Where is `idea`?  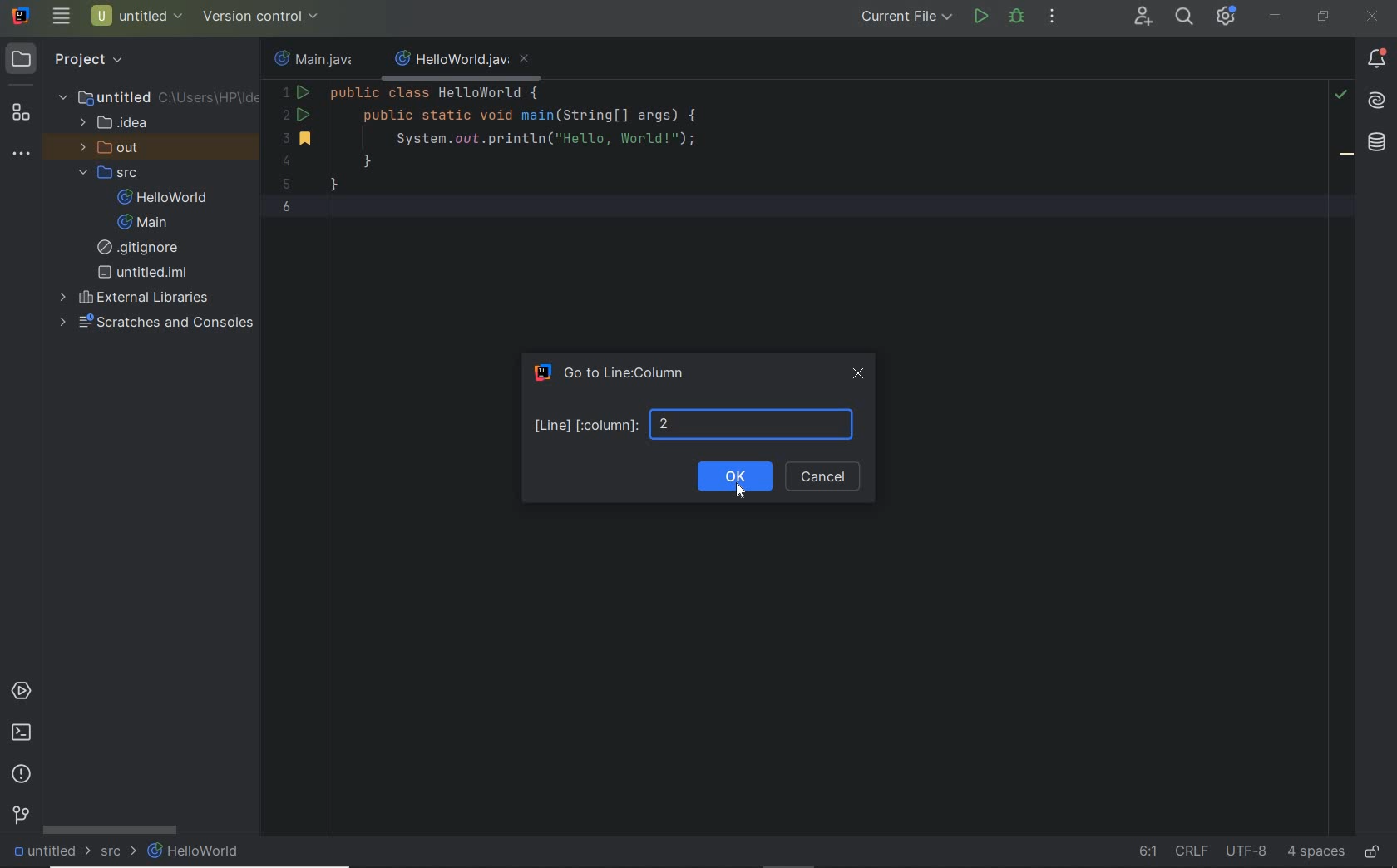
idea is located at coordinates (116, 121).